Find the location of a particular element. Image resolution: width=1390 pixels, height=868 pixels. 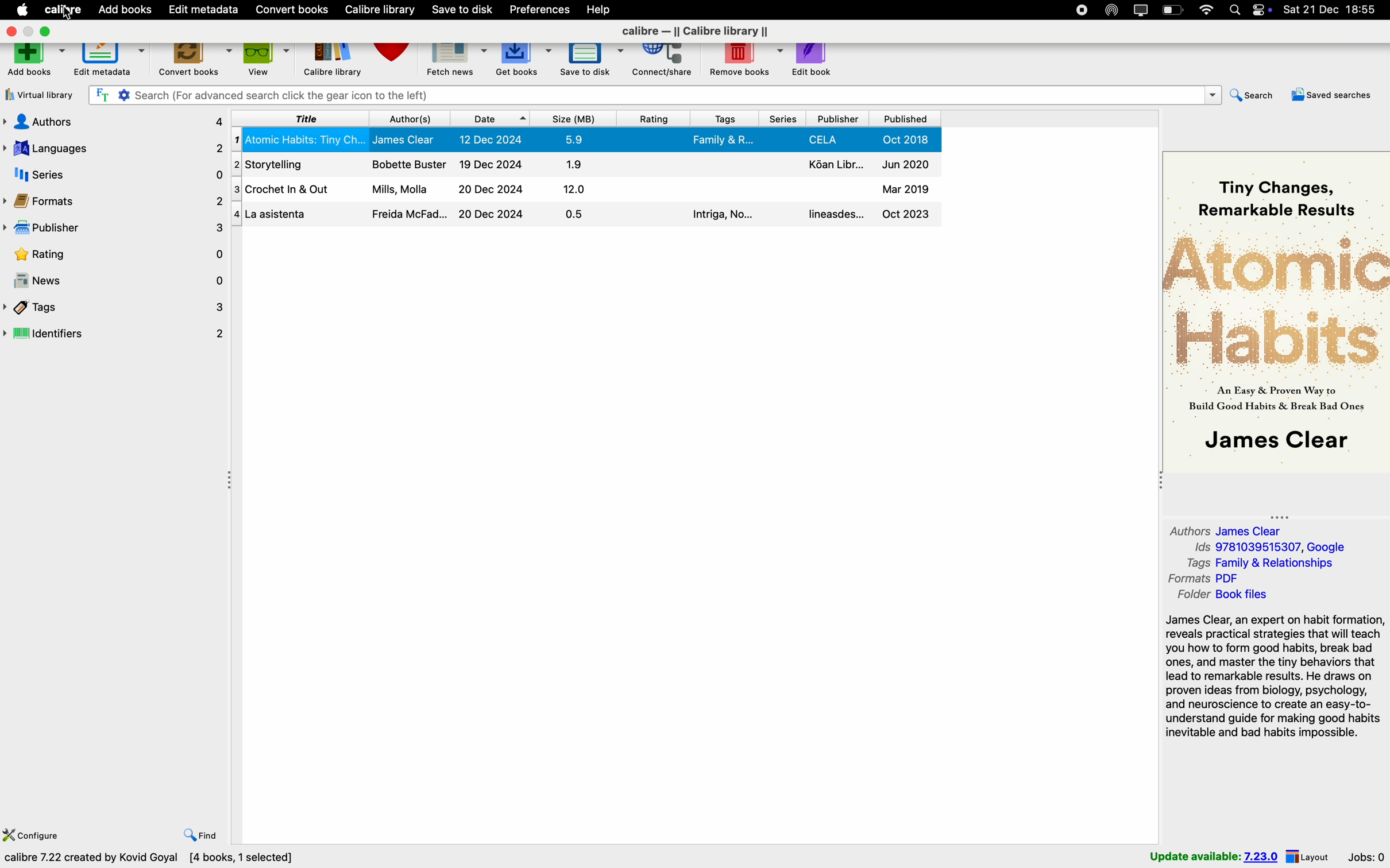

edit book is located at coordinates (814, 60).